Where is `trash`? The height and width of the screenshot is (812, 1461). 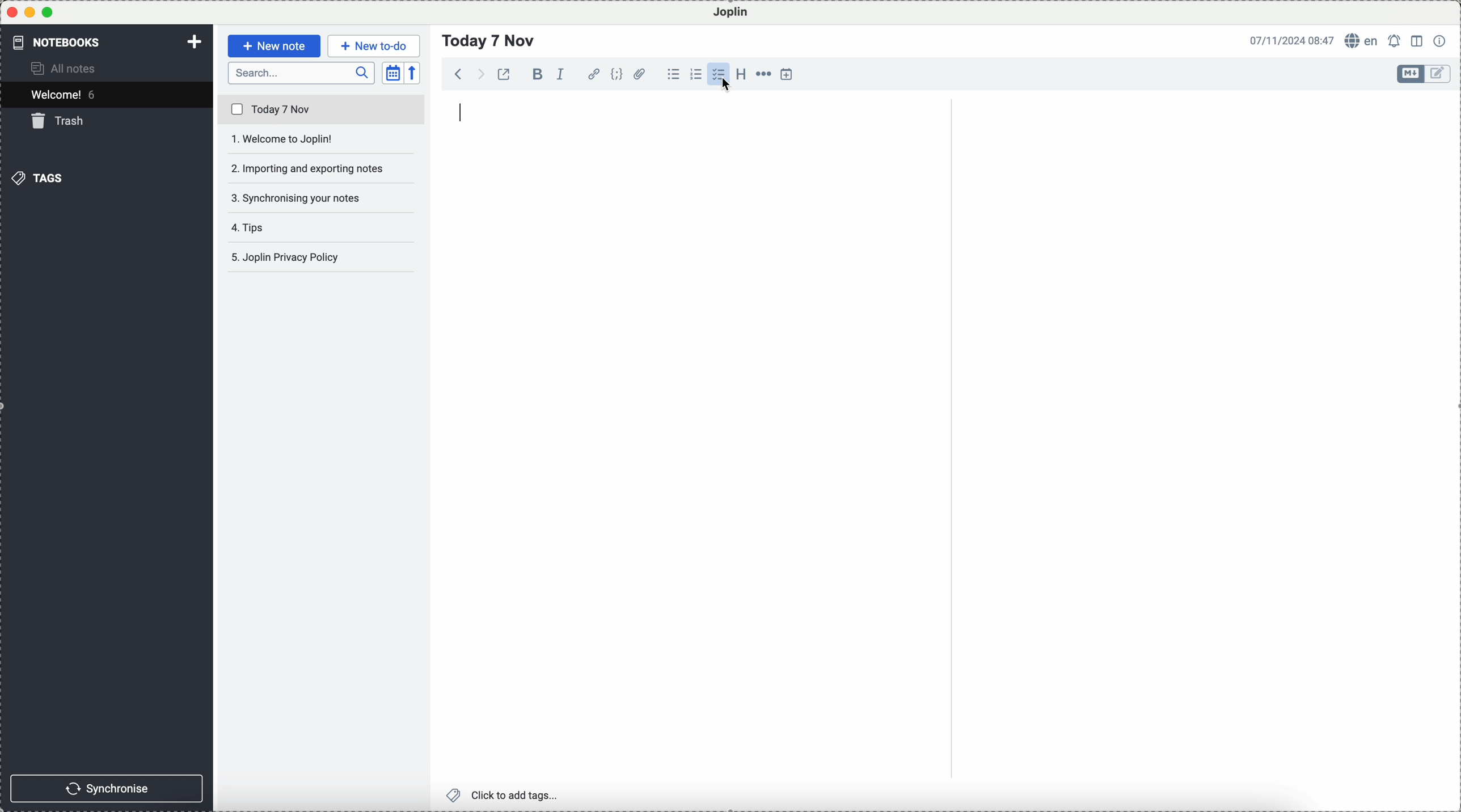 trash is located at coordinates (60, 121).